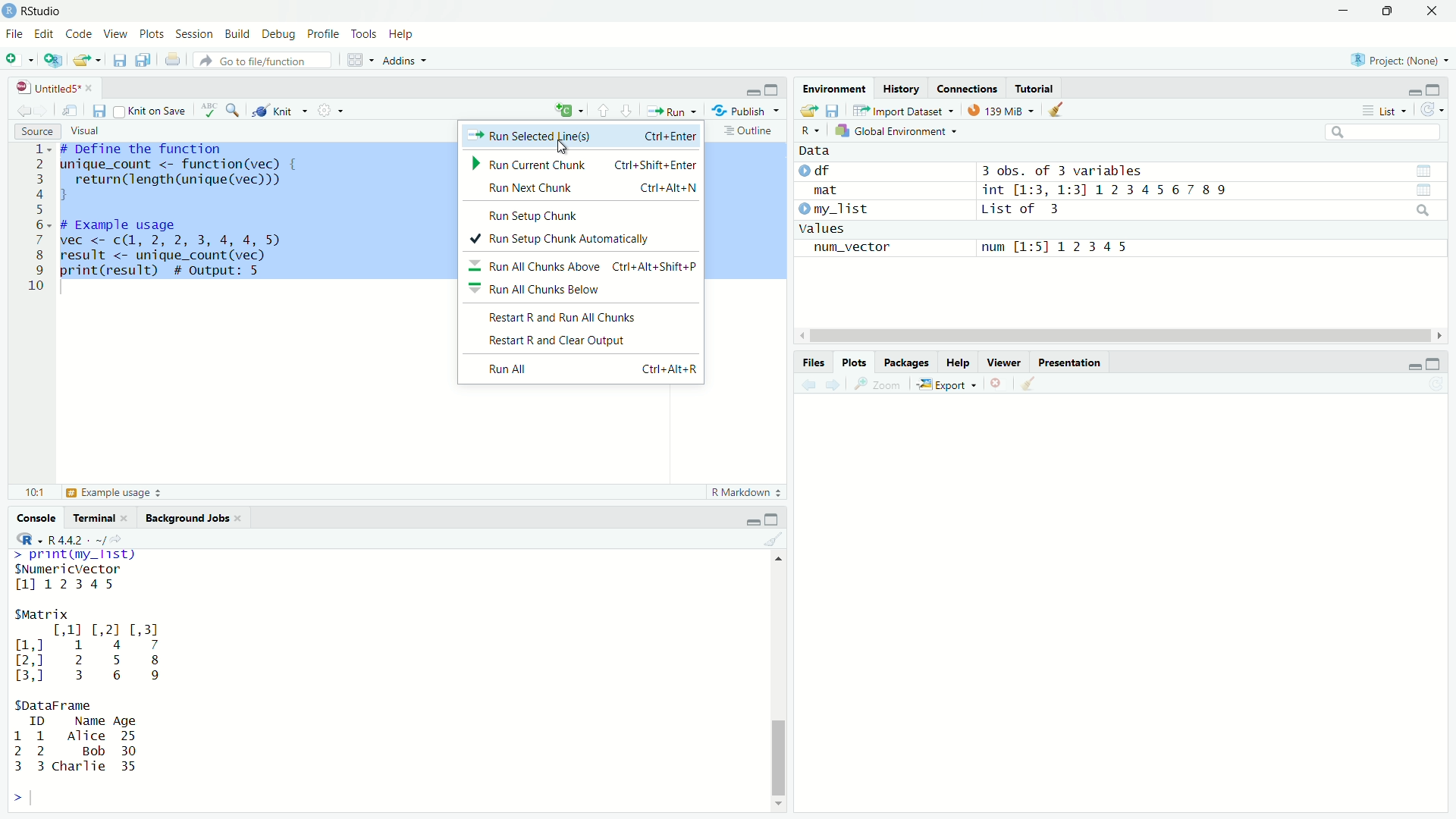 Image resolution: width=1456 pixels, height=819 pixels. I want to click on Edit, so click(46, 36).